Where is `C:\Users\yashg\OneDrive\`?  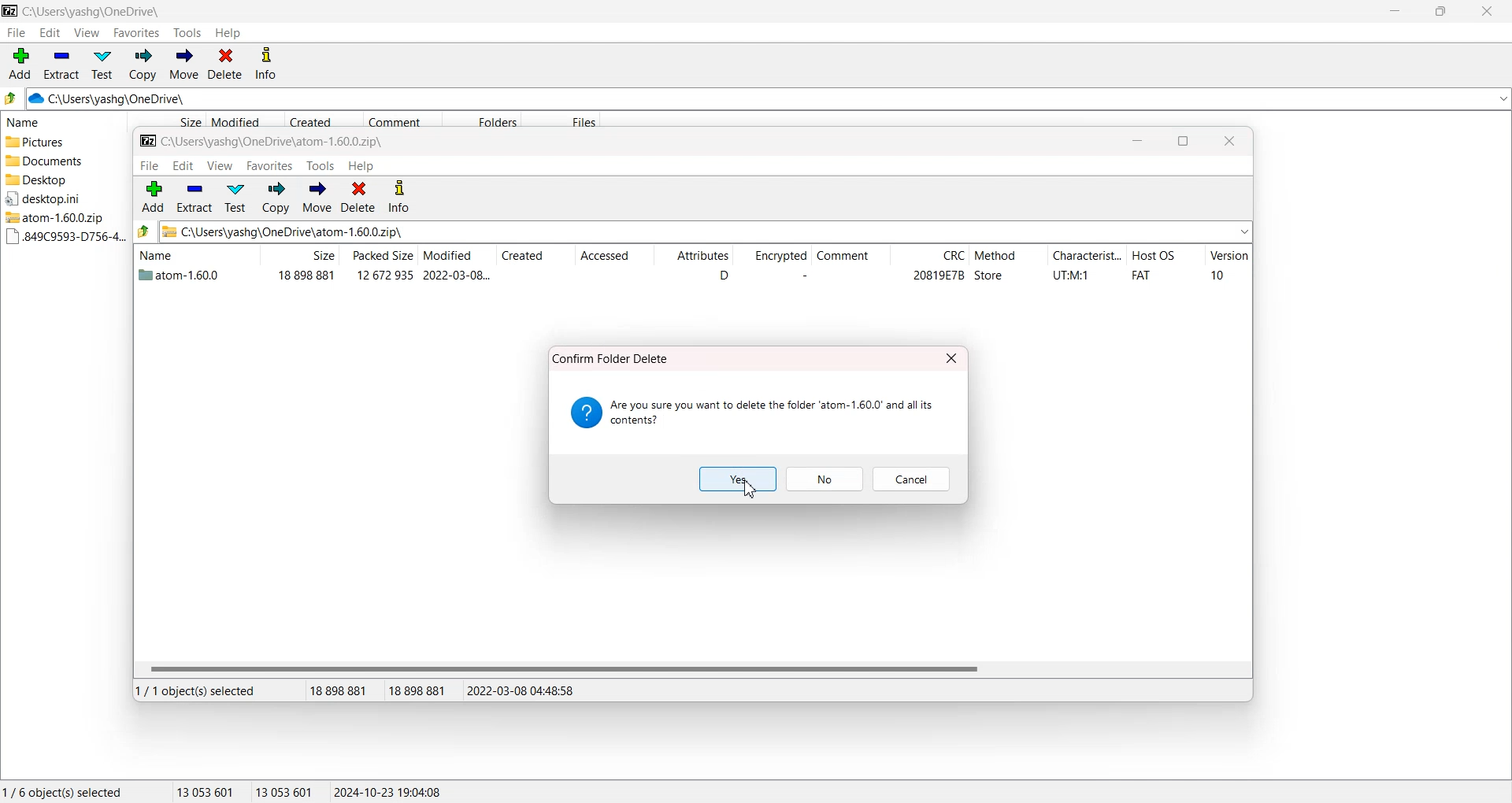 C:\Users\yashg\OneDrive\ is located at coordinates (130, 99).